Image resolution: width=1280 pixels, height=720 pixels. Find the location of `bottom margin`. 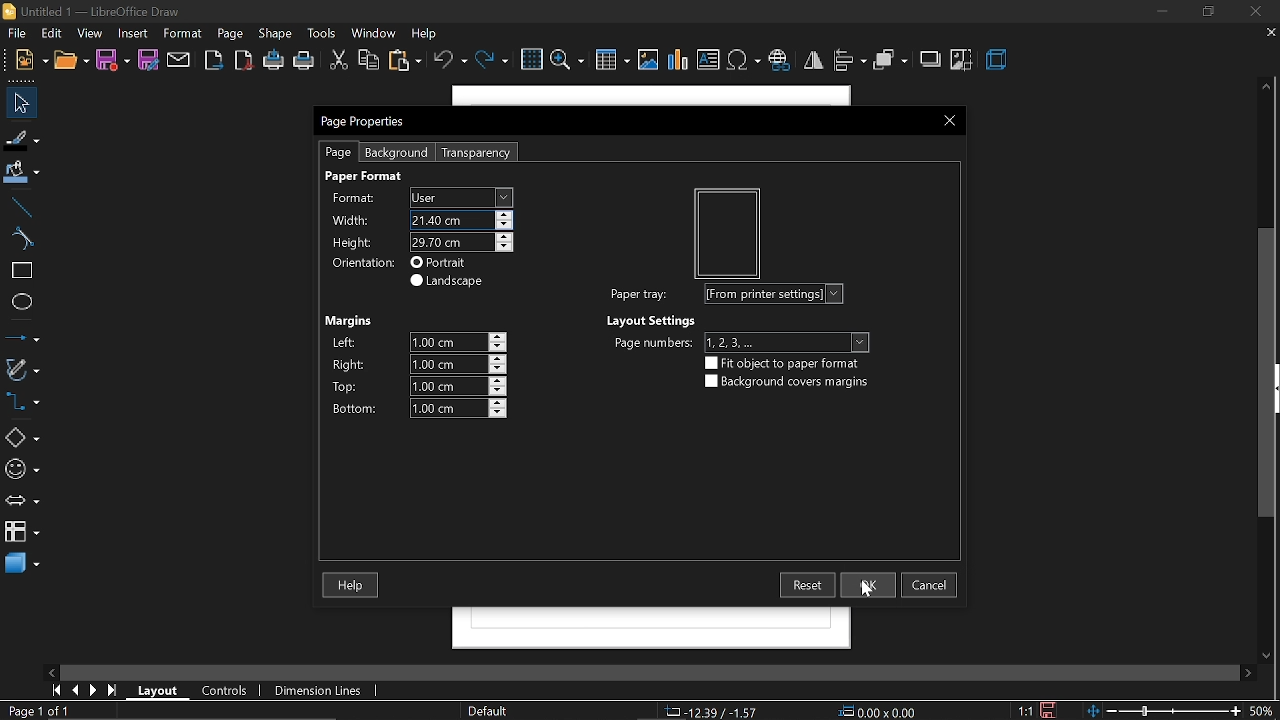

bottom margin is located at coordinates (359, 408).